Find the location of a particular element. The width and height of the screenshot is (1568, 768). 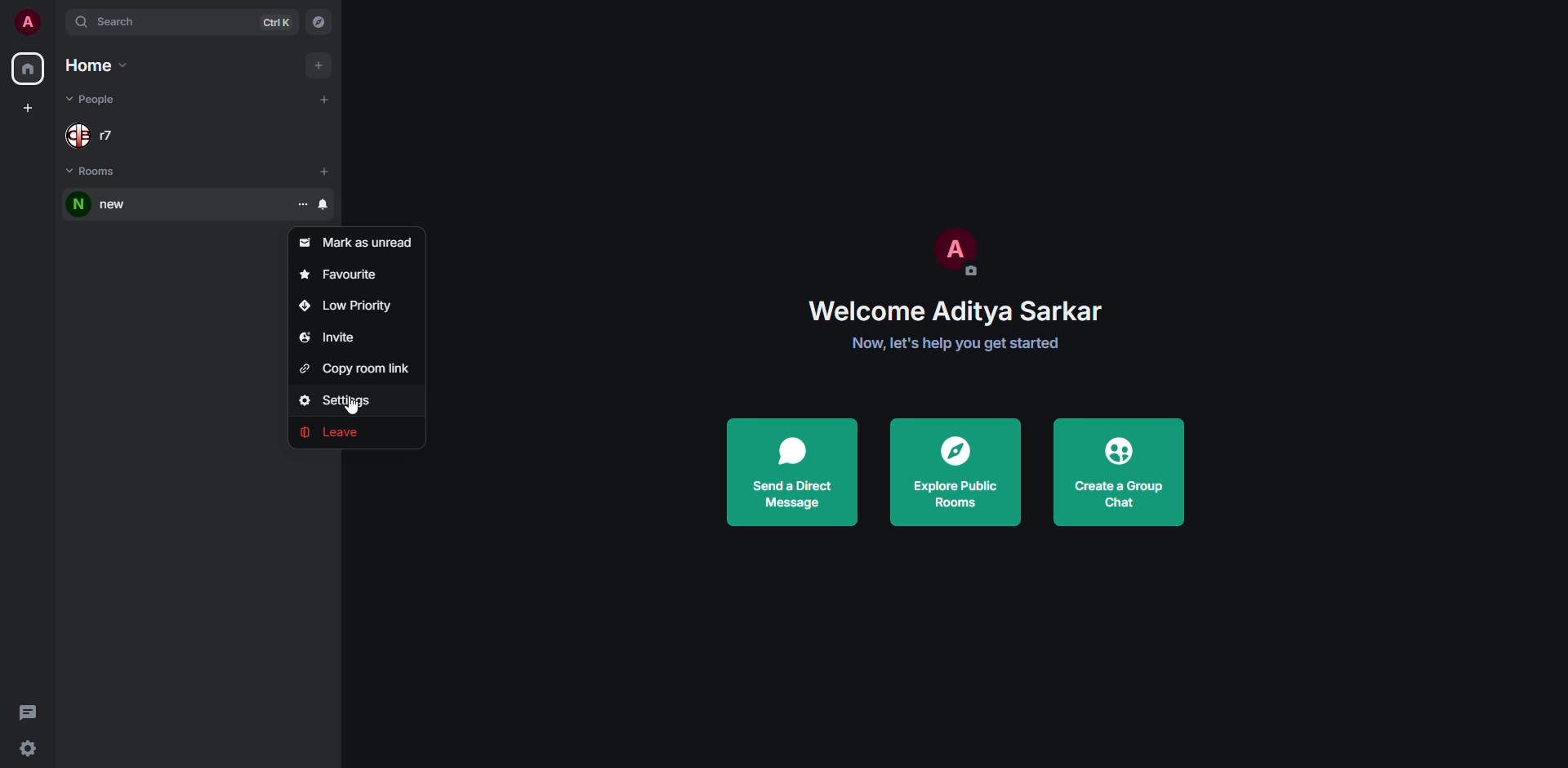

search is located at coordinates (111, 21).